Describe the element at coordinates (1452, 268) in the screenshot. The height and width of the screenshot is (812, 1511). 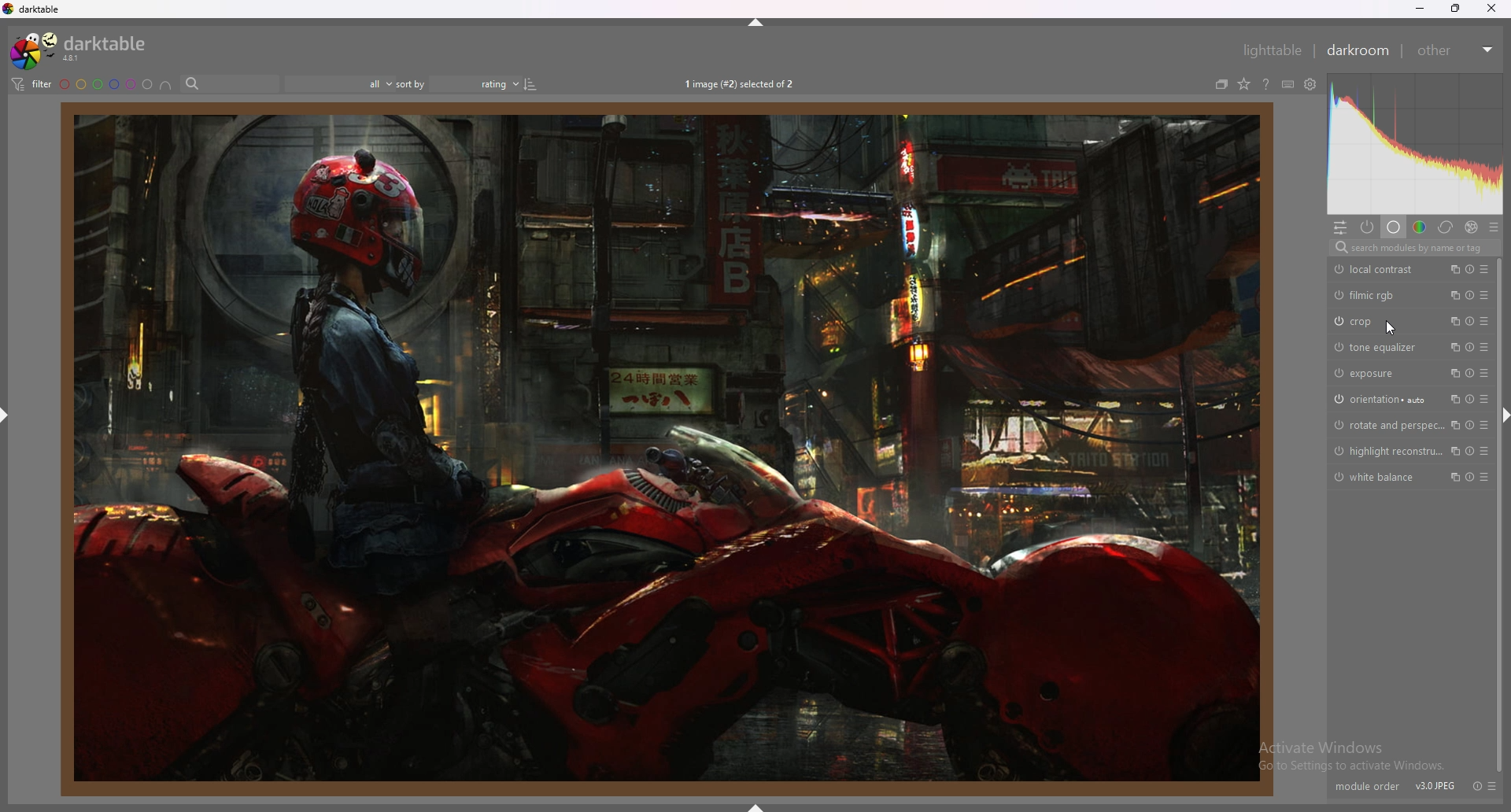
I see `multiple instances action` at that location.